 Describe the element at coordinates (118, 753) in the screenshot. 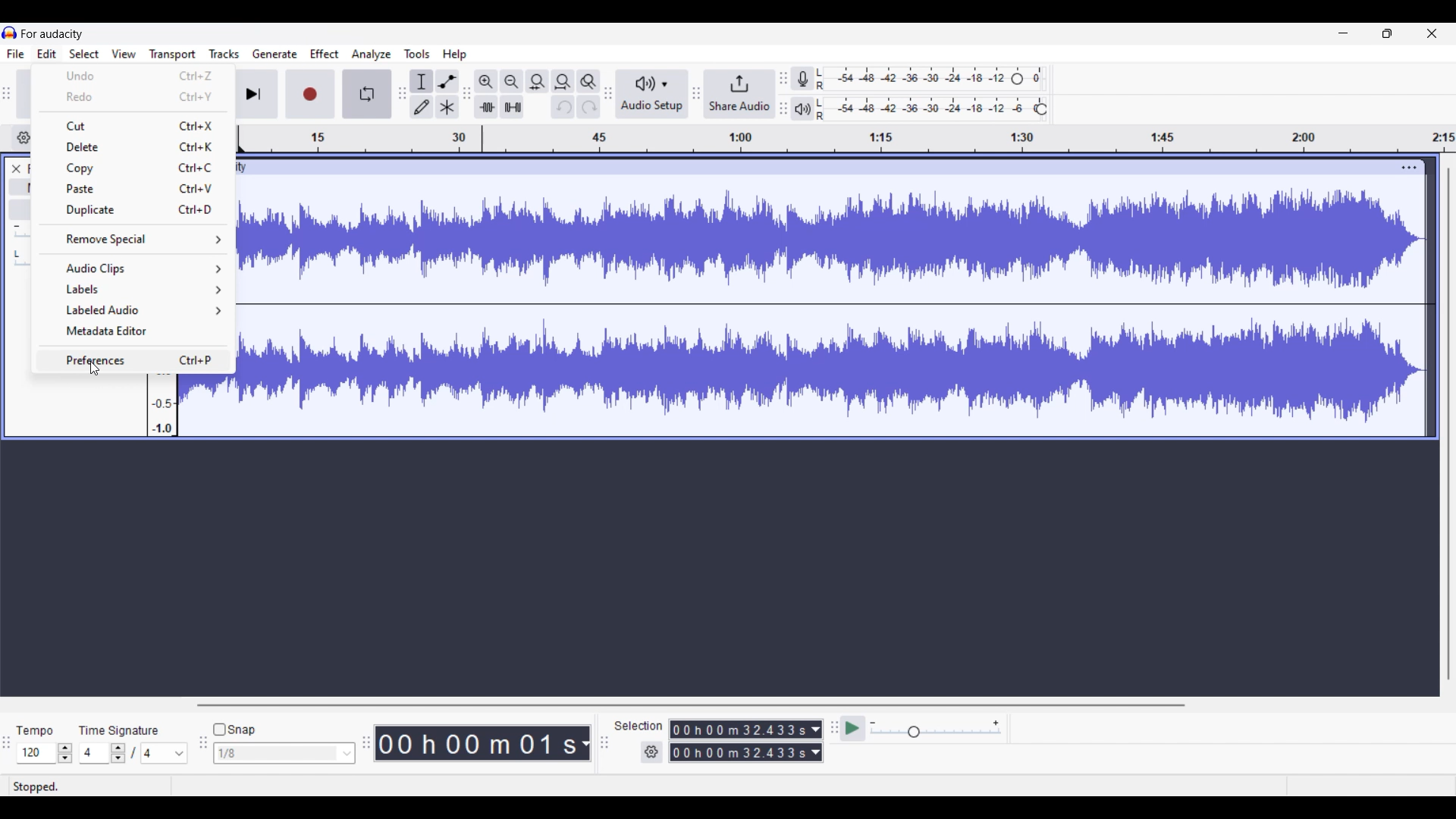

I see `Increase/Decrease number` at that location.